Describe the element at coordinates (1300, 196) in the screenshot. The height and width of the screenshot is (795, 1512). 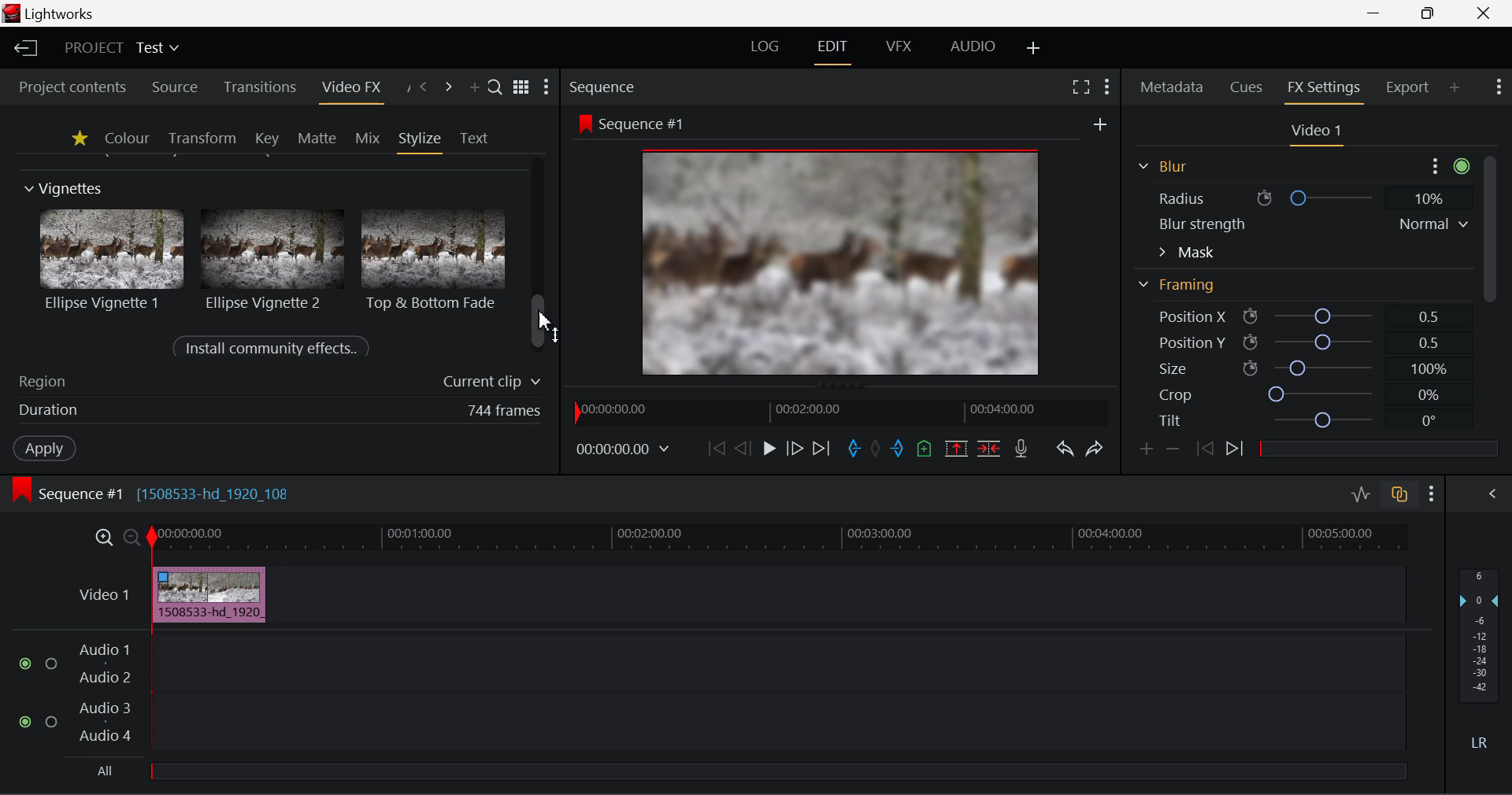
I see `Radius ® O 10%` at that location.